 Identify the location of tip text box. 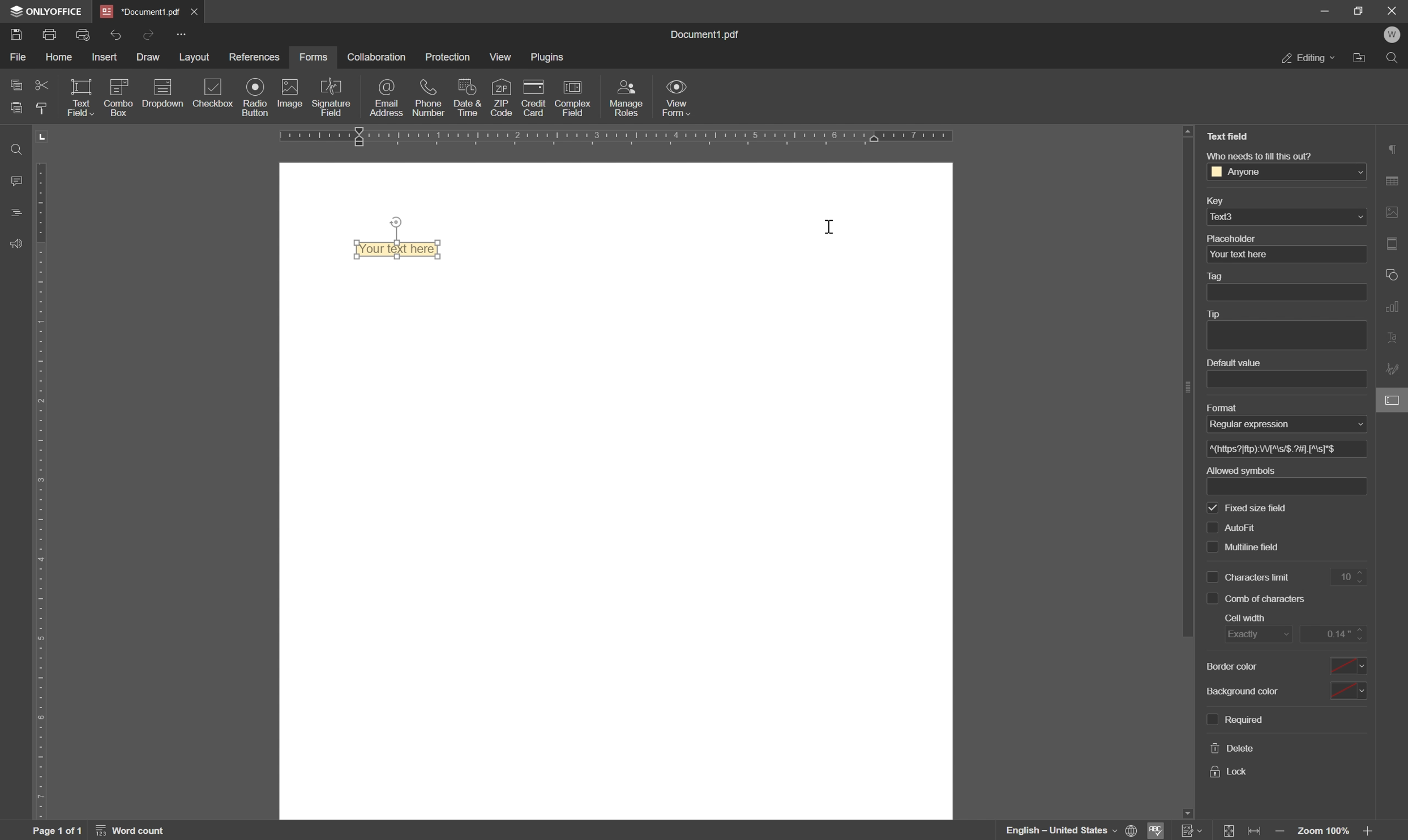
(1282, 336).